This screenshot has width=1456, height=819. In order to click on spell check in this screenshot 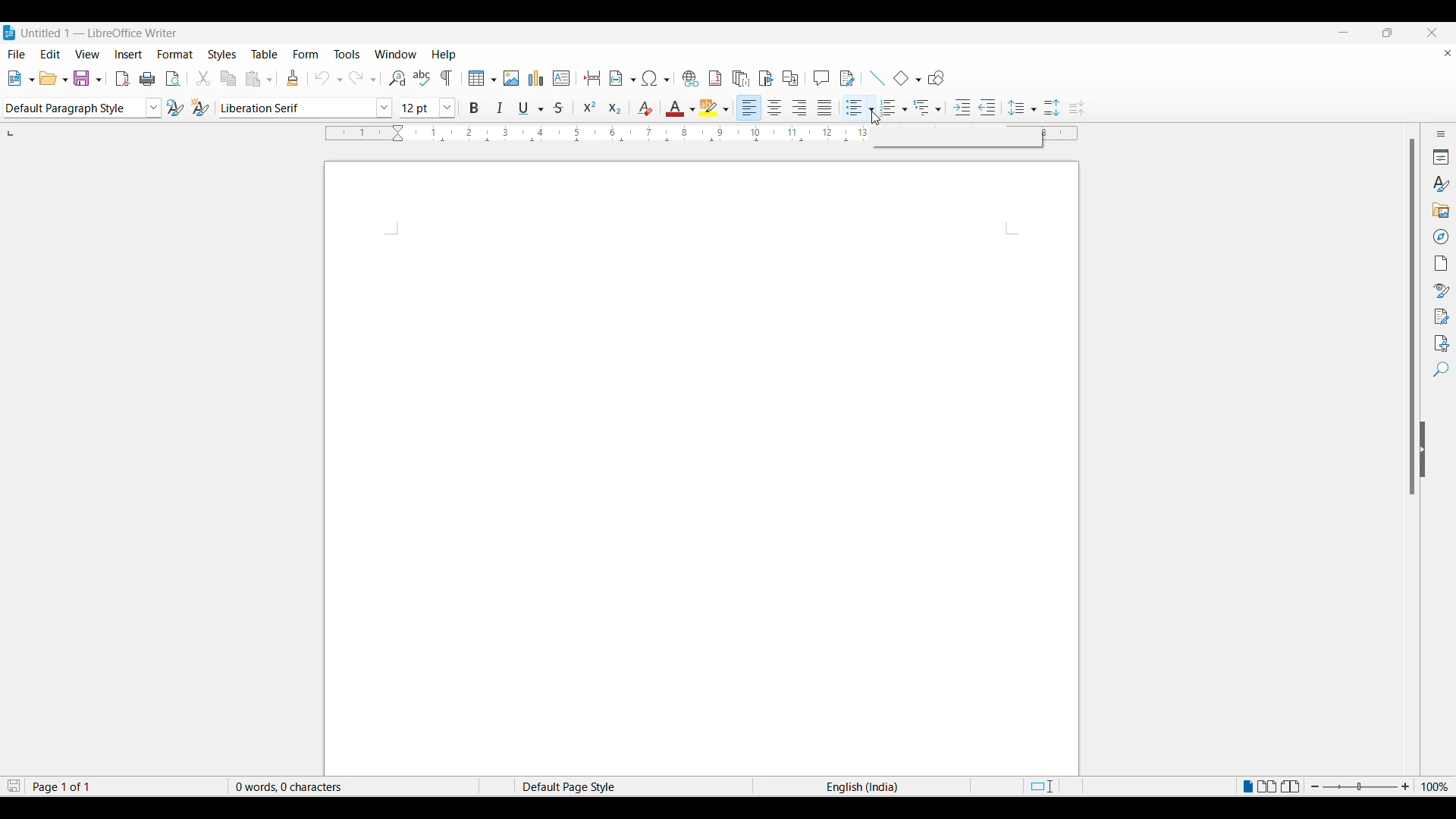, I will do `click(422, 77)`.